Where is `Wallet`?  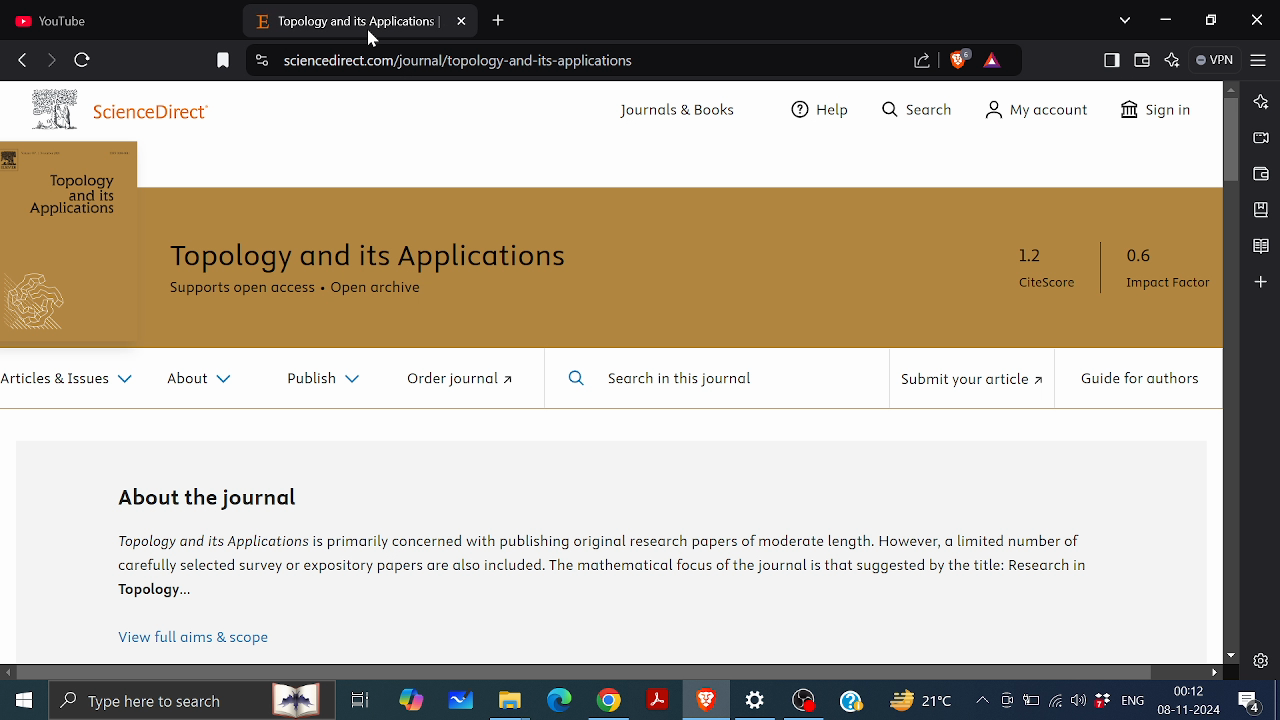
Wallet is located at coordinates (1261, 174).